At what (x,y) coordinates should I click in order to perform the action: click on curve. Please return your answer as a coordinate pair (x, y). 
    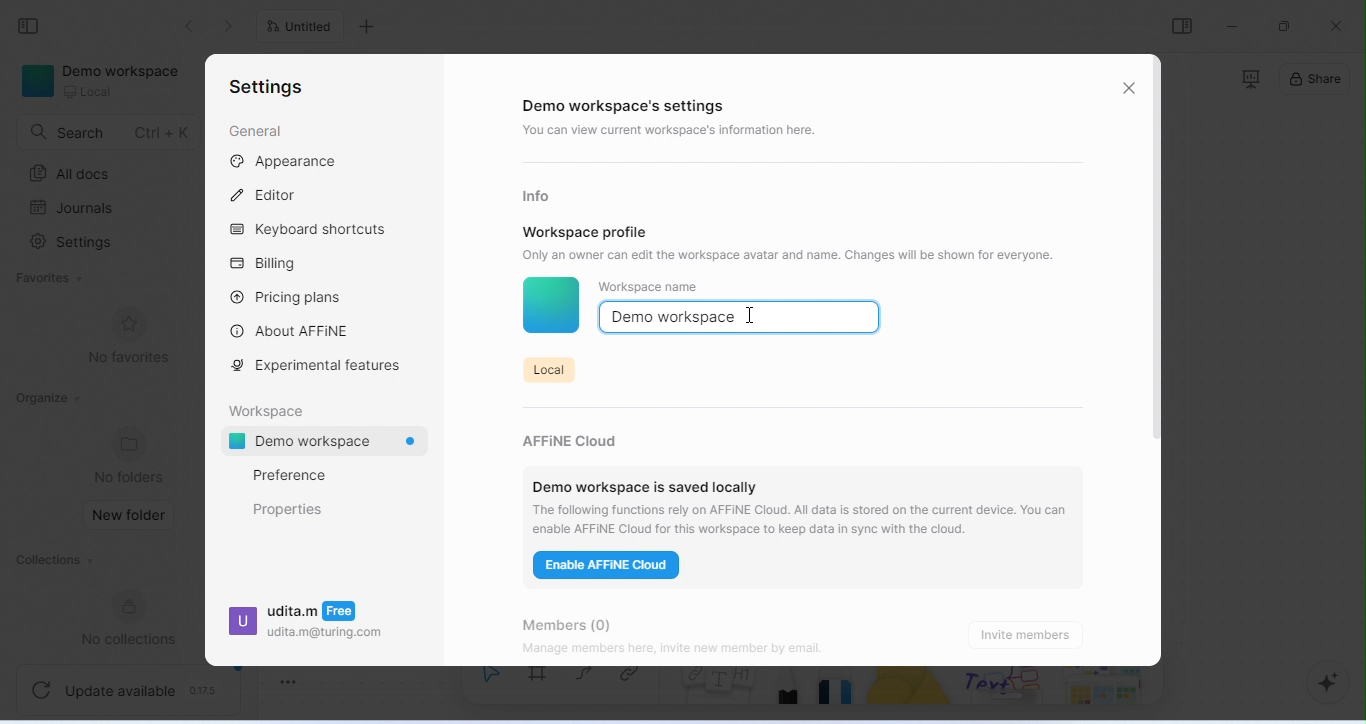
    Looking at the image, I should click on (589, 681).